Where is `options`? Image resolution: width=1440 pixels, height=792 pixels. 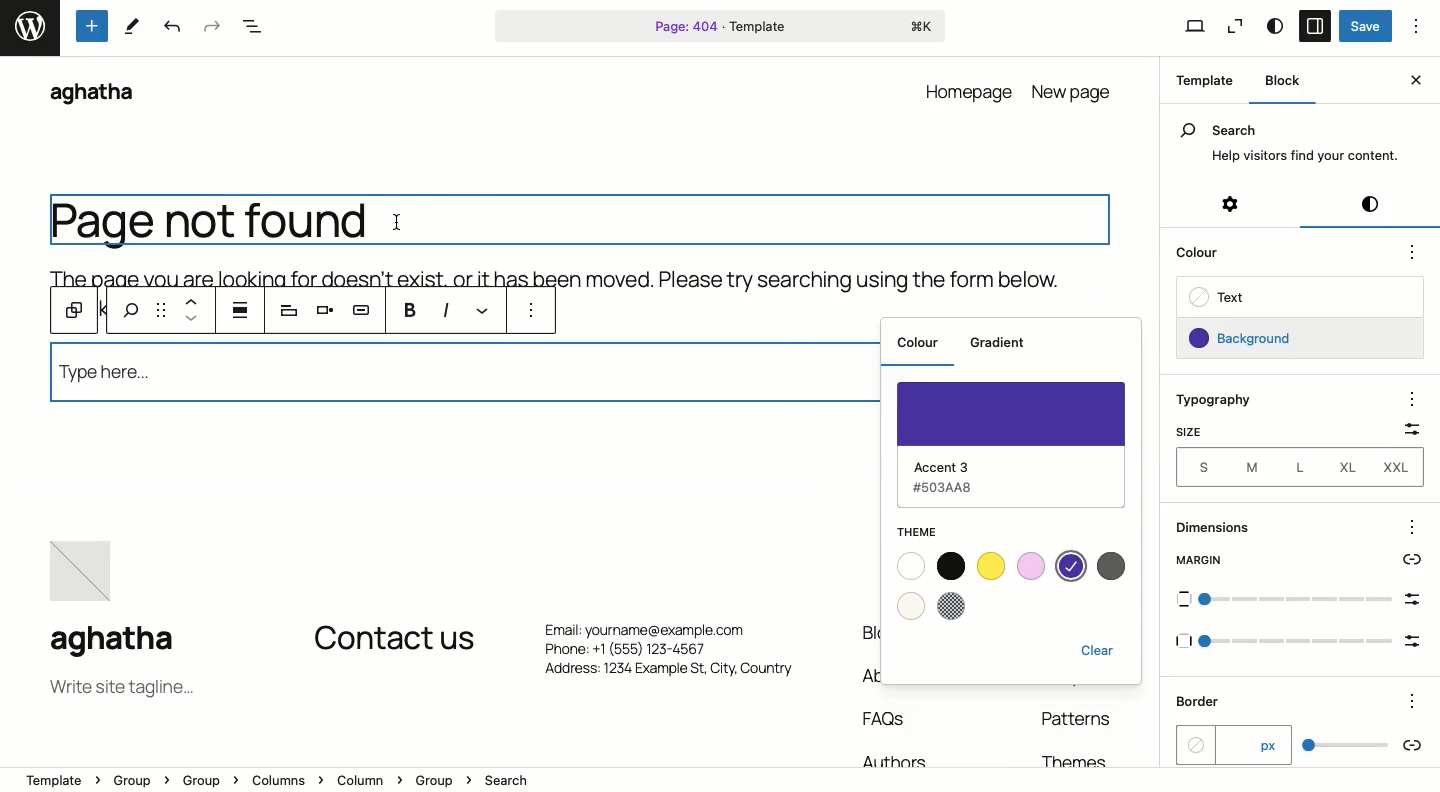 options is located at coordinates (1413, 253).